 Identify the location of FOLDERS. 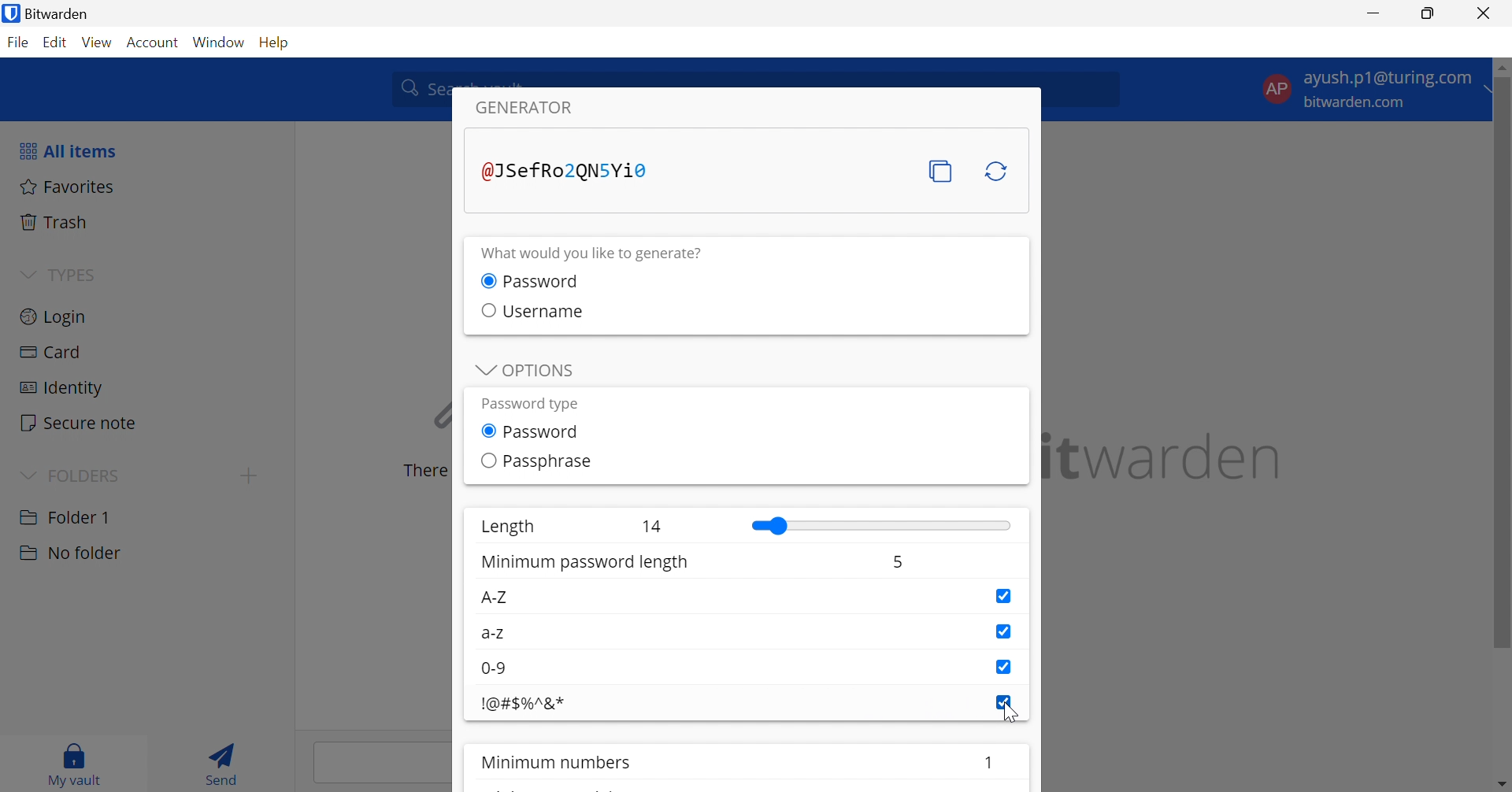
(87, 473).